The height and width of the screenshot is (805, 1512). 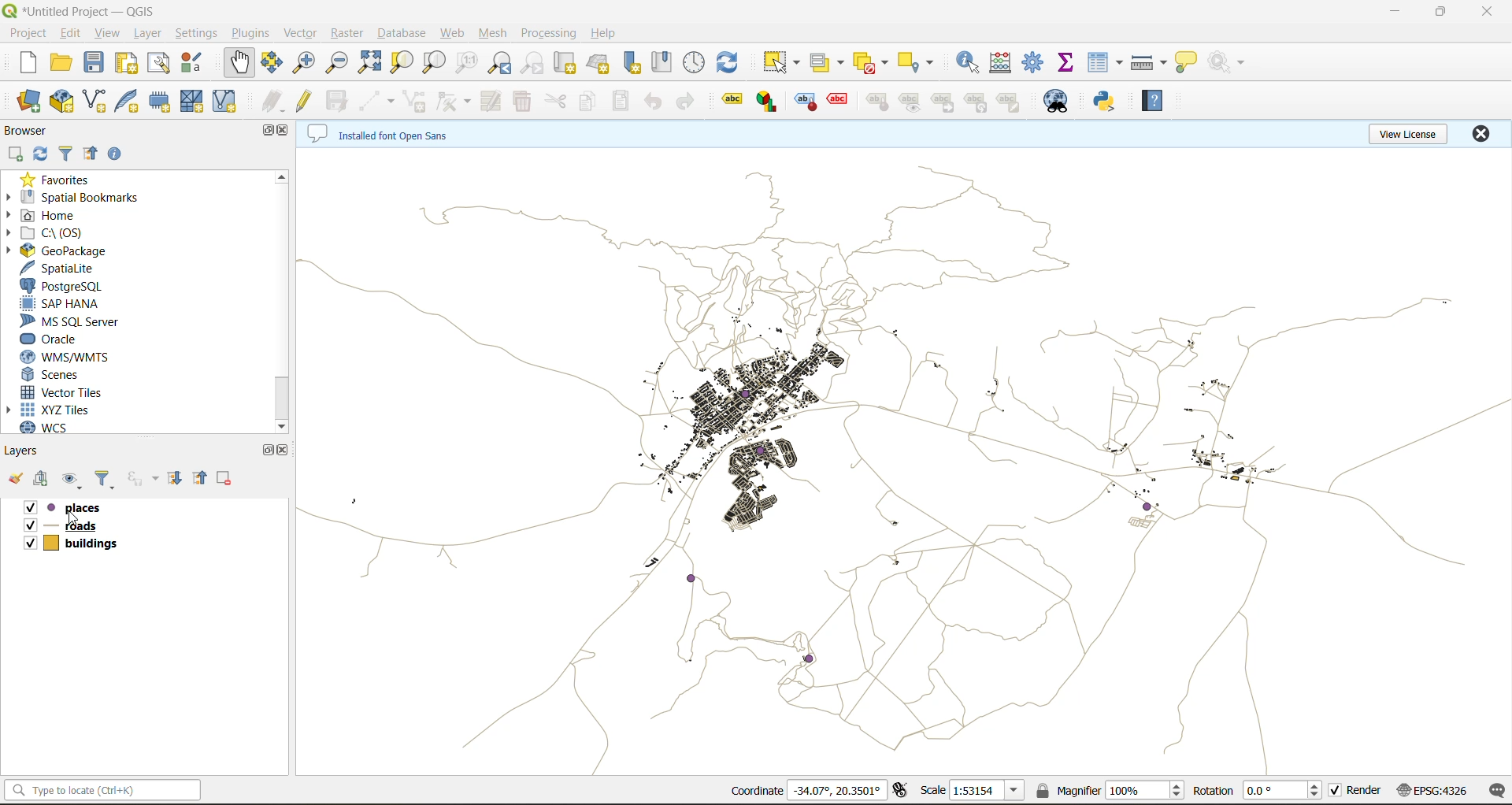 What do you see at coordinates (402, 34) in the screenshot?
I see `database` at bounding box center [402, 34].